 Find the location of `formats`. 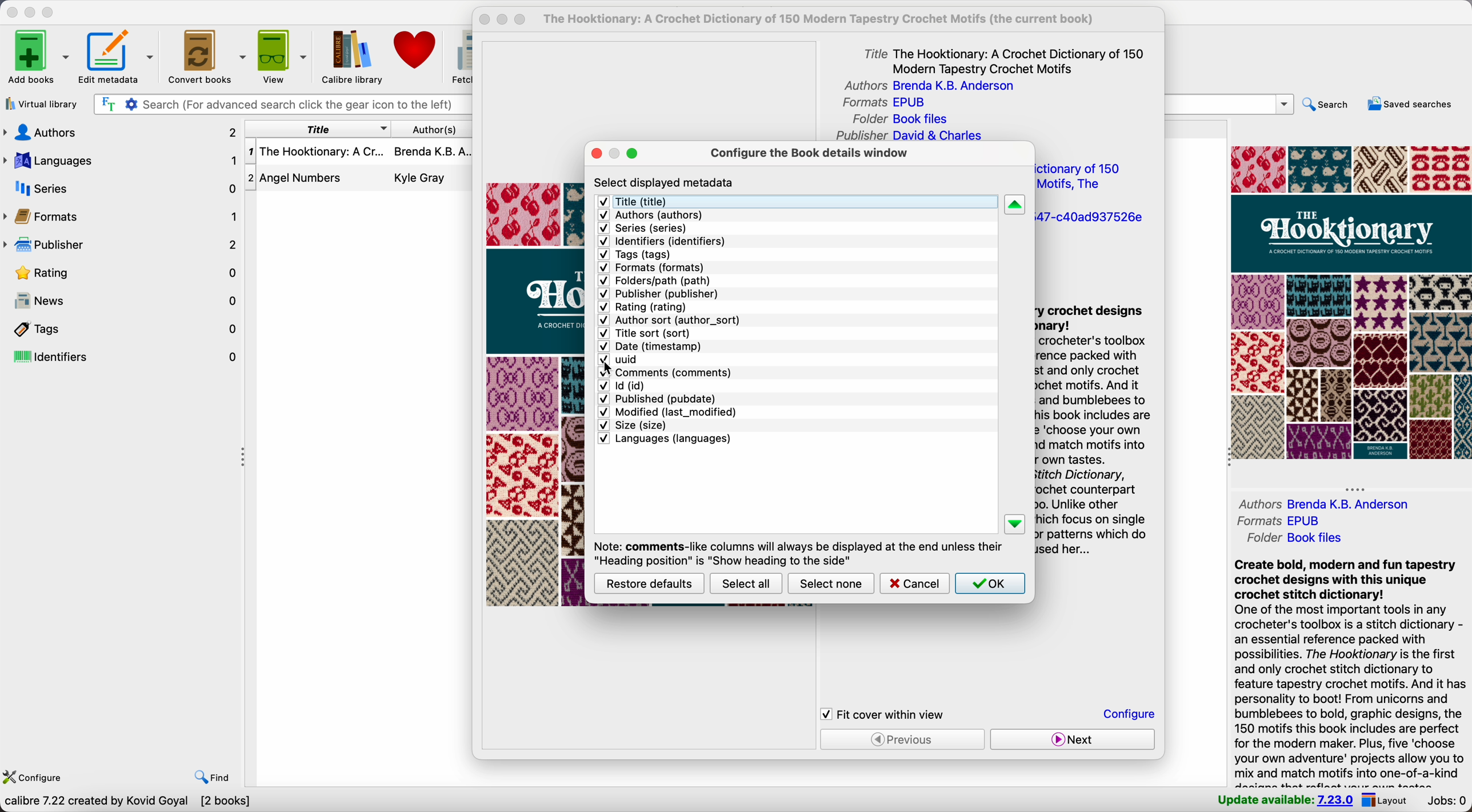

formats is located at coordinates (653, 267).